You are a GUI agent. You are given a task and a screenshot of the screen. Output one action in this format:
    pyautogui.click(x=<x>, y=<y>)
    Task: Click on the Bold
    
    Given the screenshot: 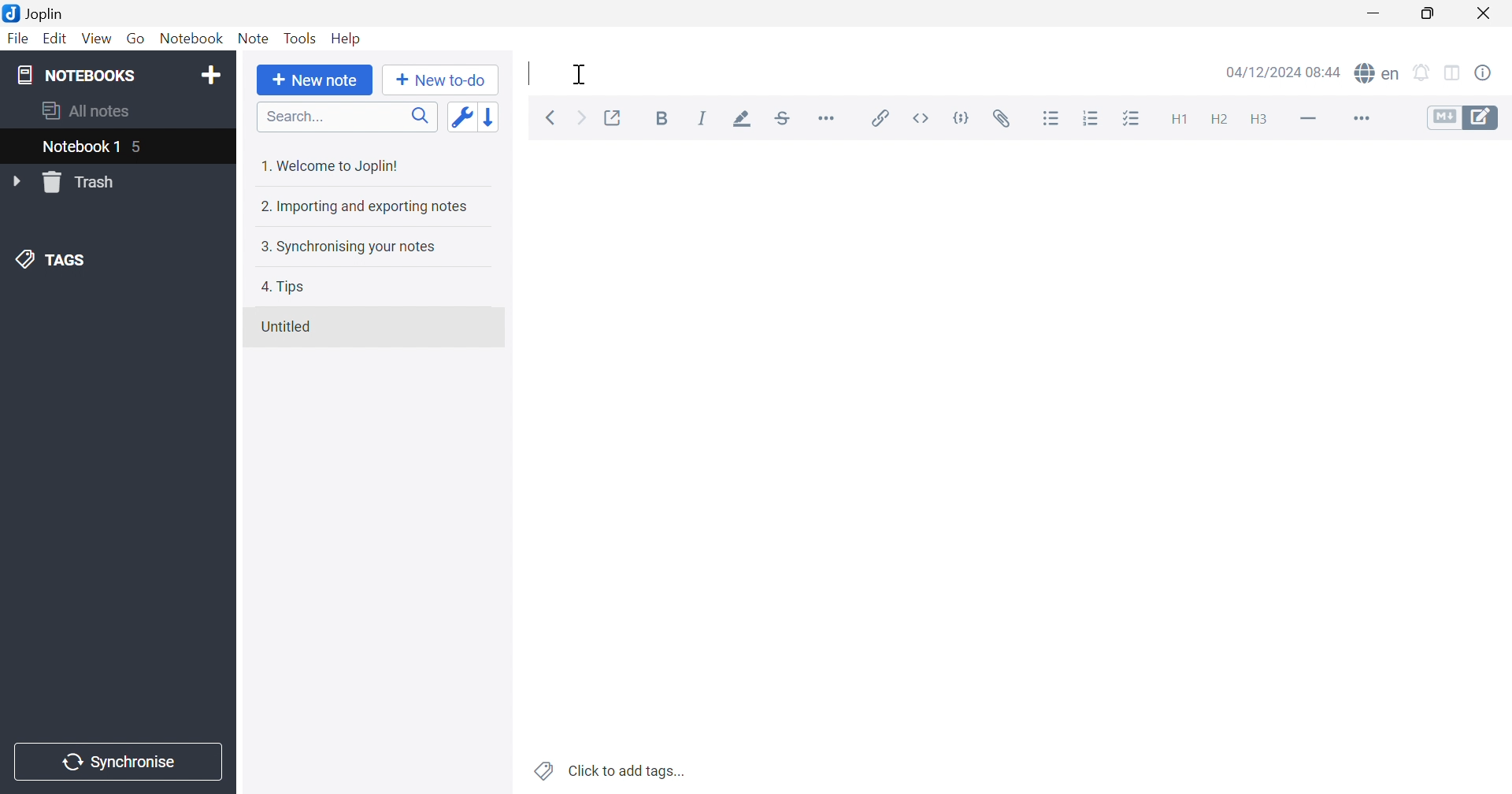 What is the action you would take?
    pyautogui.click(x=661, y=117)
    